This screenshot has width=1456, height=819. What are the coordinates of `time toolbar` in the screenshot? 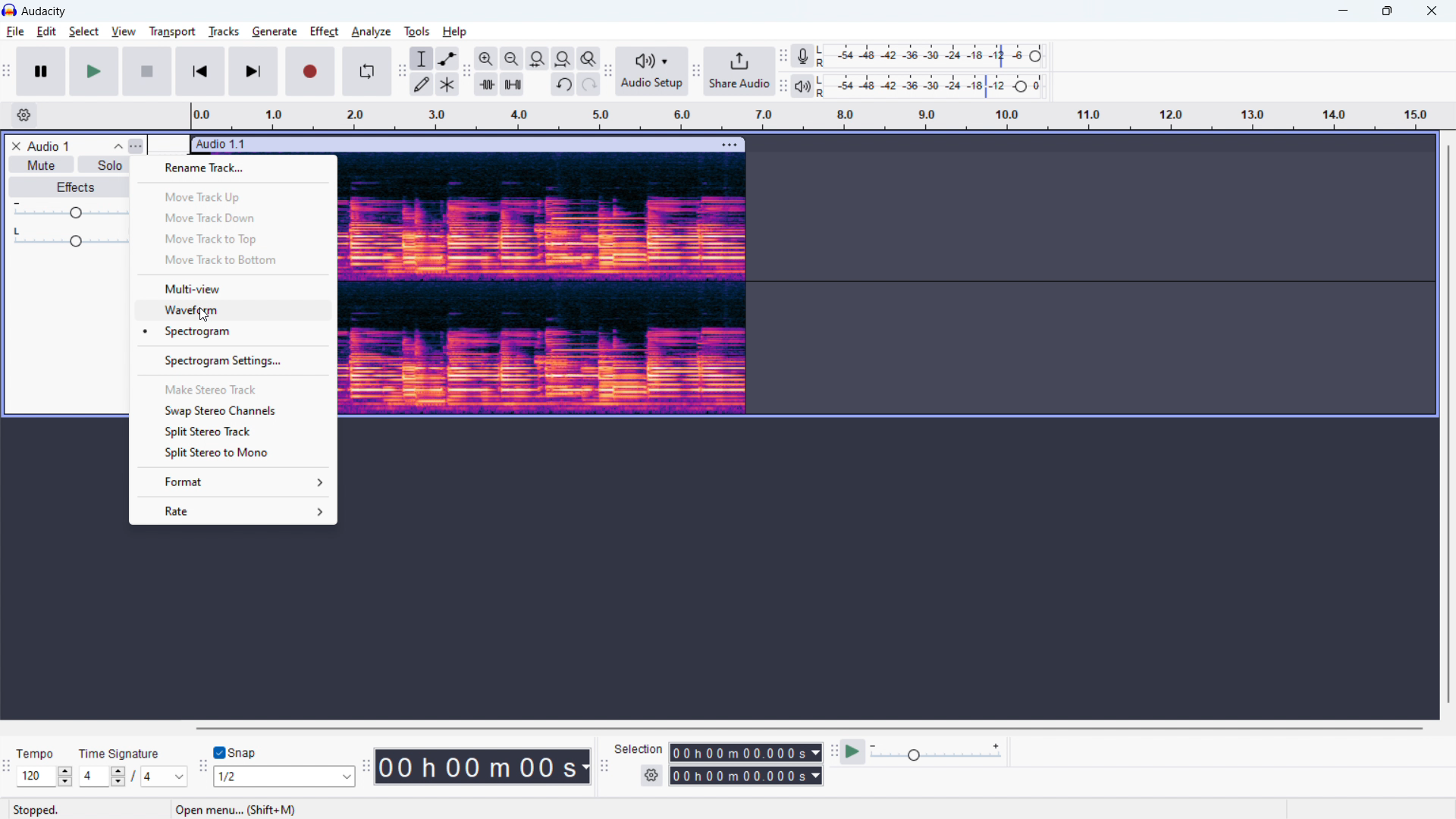 It's located at (366, 768).